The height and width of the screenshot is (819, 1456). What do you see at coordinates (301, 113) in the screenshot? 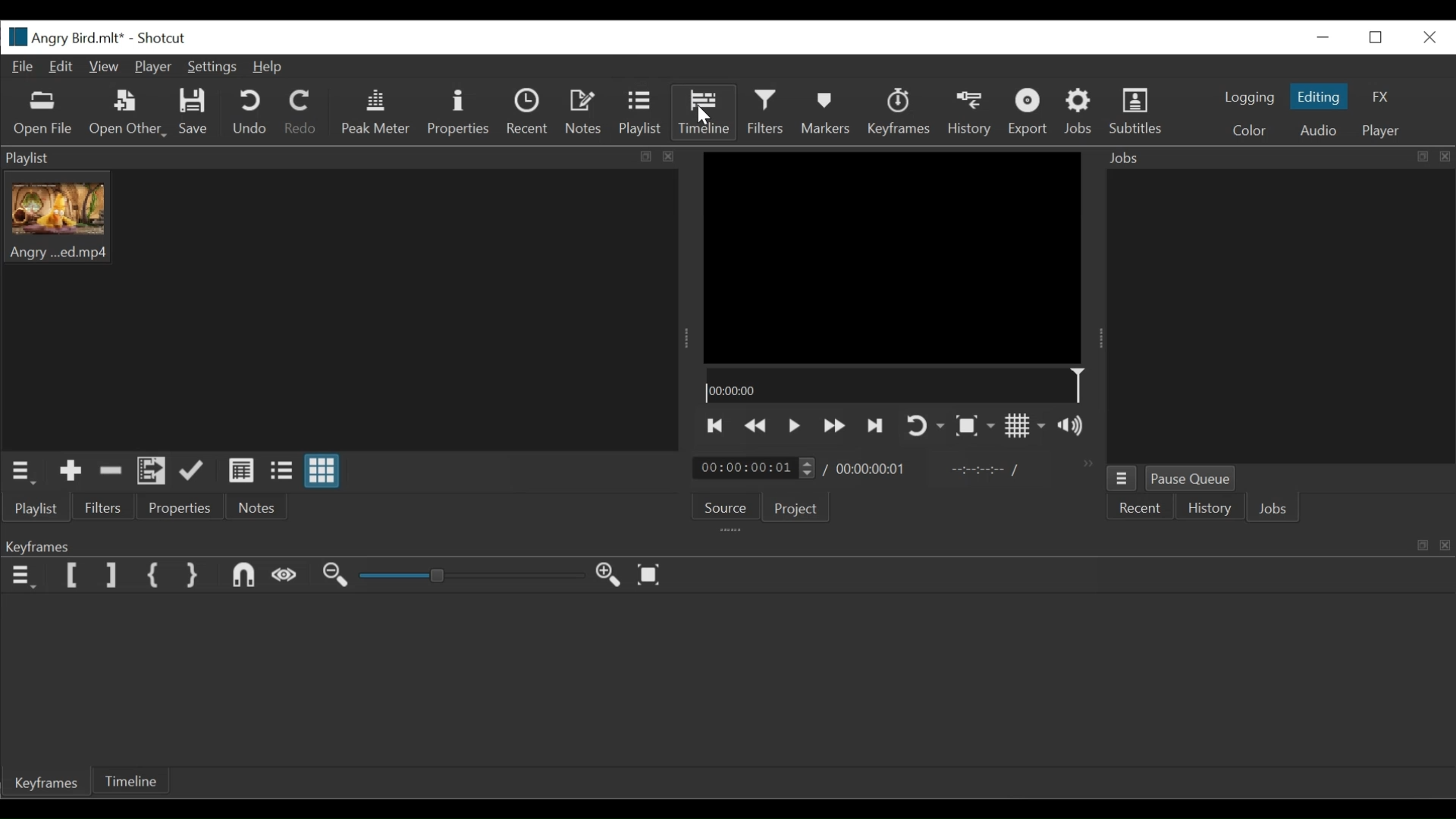
I see `Redo` at bounding box center [301, 113].